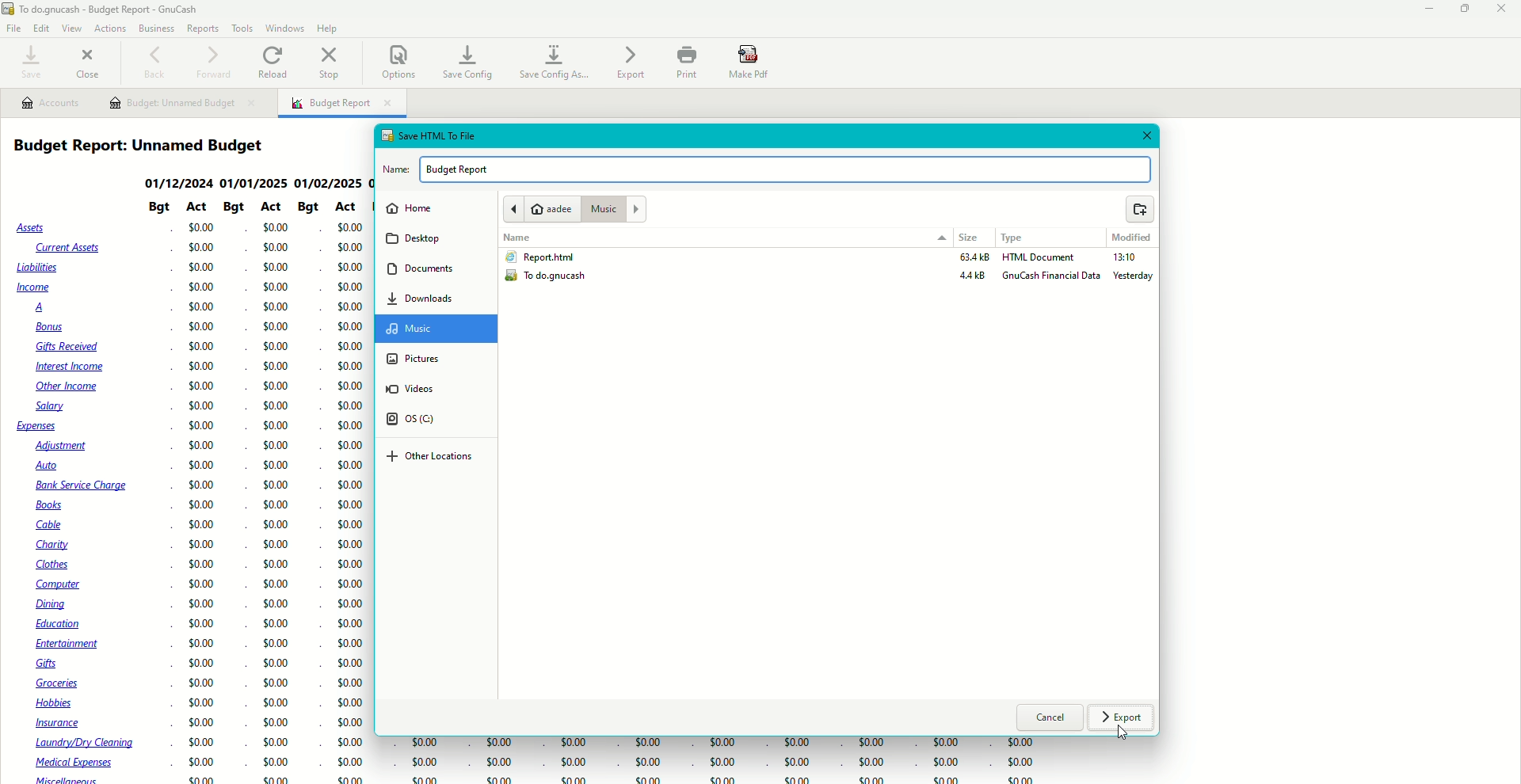 This screenshot has height=784, width=1521. What do you see at coordinates (109, 27) in the screenshot?
I see `Actions` at bounding box center [109, 27].